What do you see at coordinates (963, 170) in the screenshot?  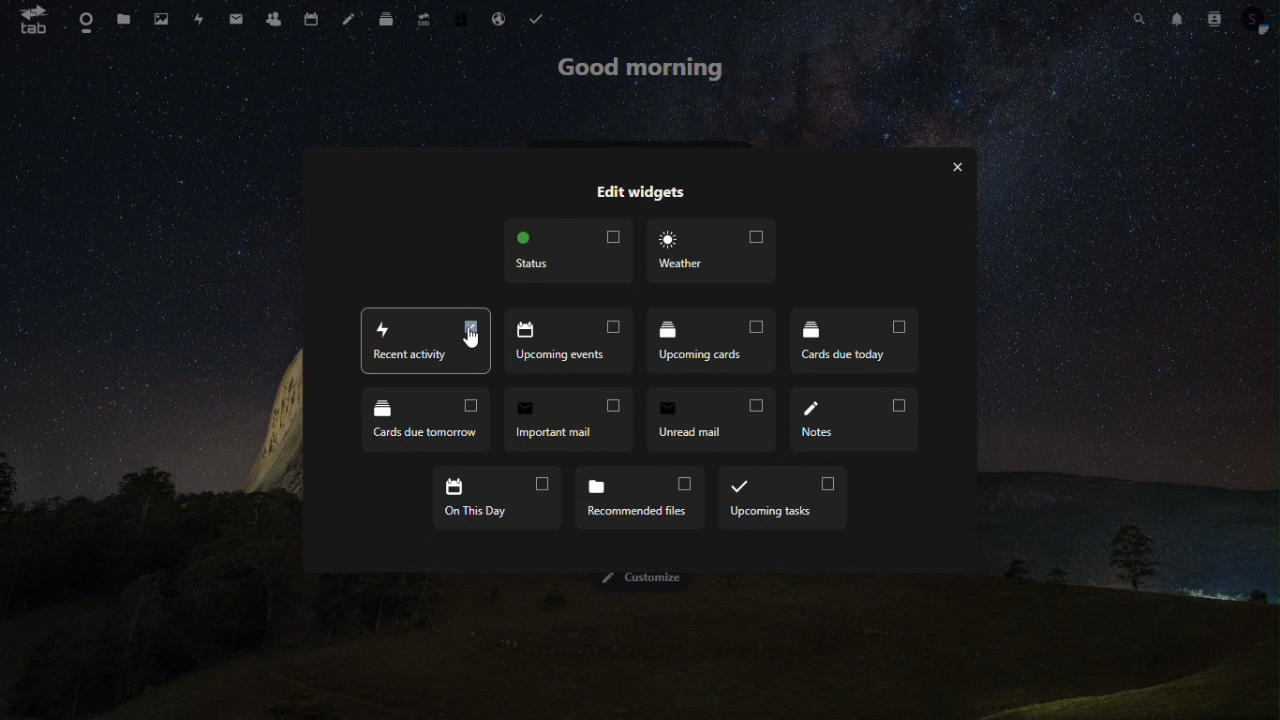 I see `exit` at bounding box center [963, 170].